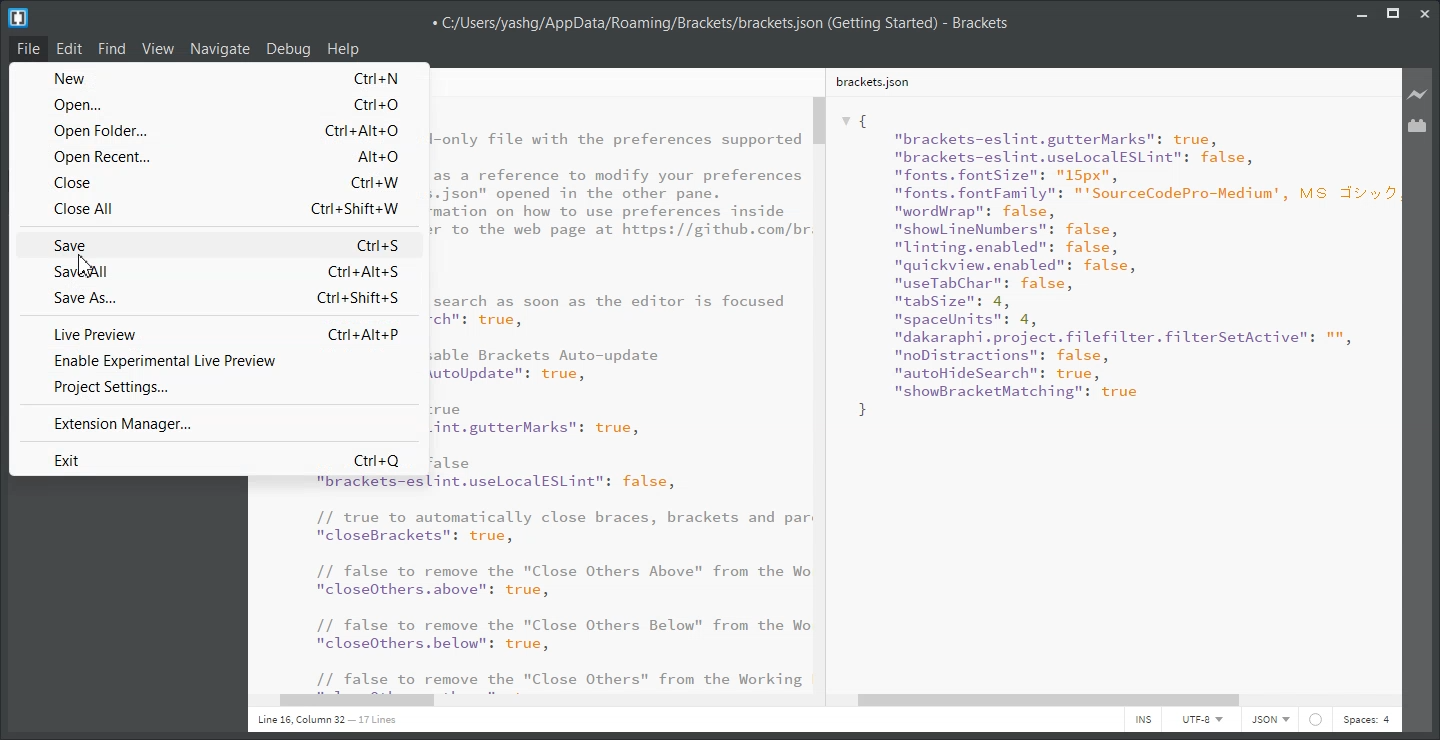  Describe the element at coordinates (221, 49) in the screenshot. I see `Navigate` at that location.